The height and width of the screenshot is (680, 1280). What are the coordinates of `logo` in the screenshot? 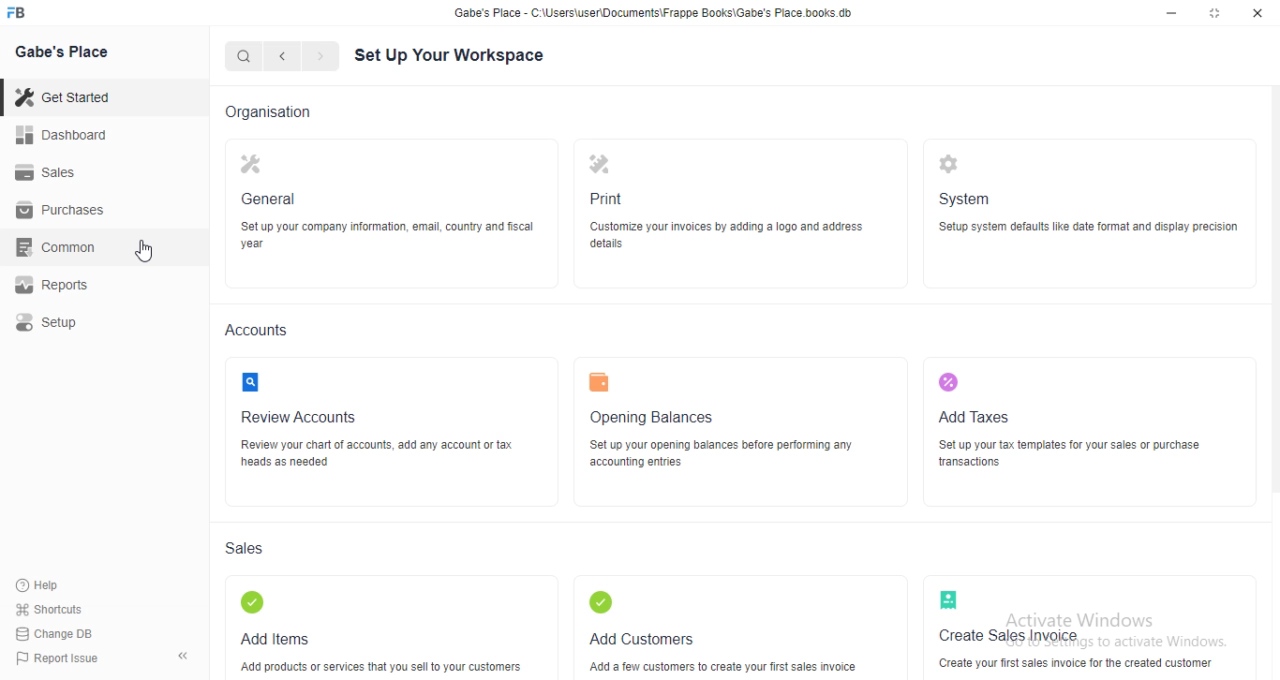 It's located at (603, 383).